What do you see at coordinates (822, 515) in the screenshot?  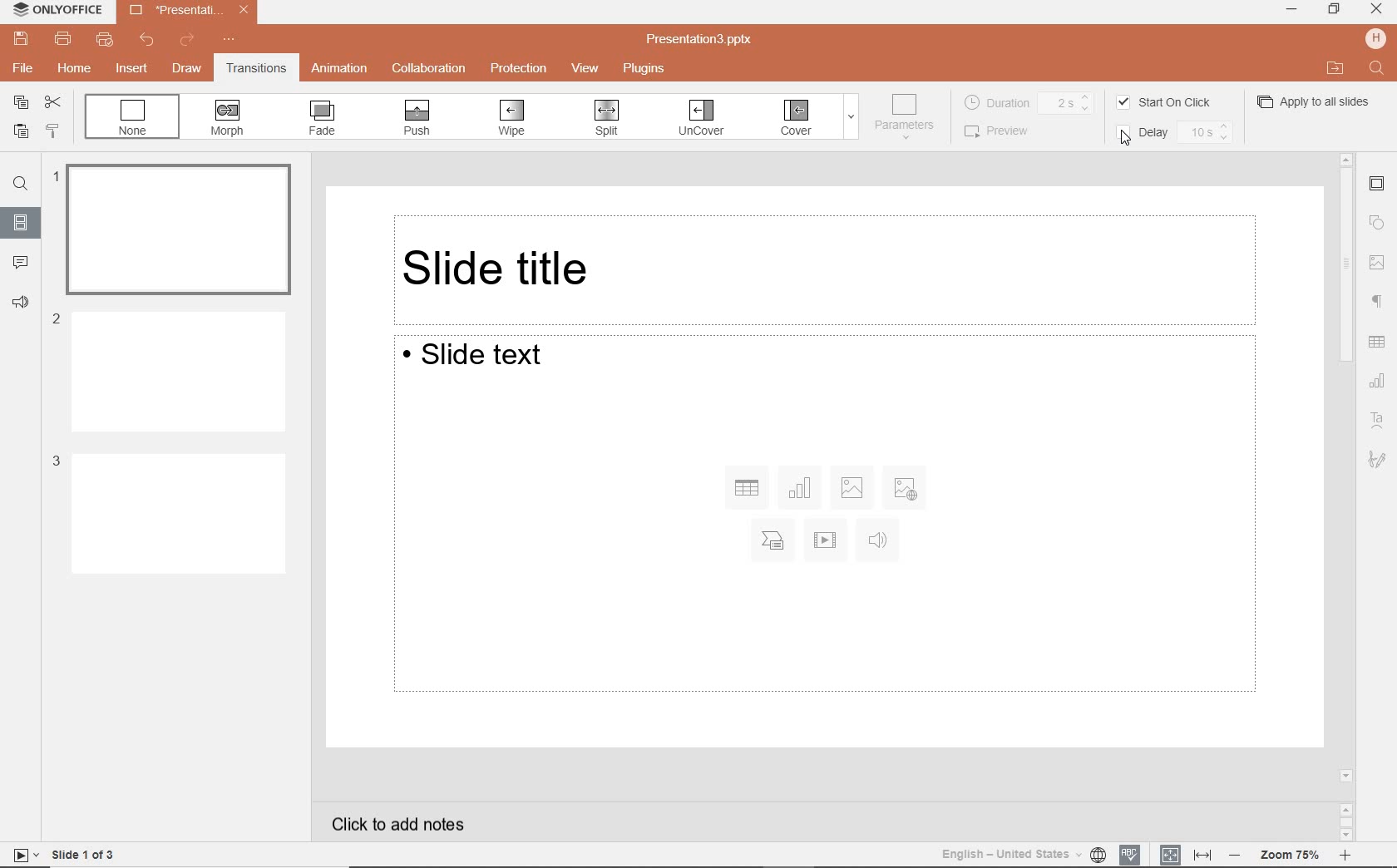 I see `Slide Text` at bounding box center [822, 515].